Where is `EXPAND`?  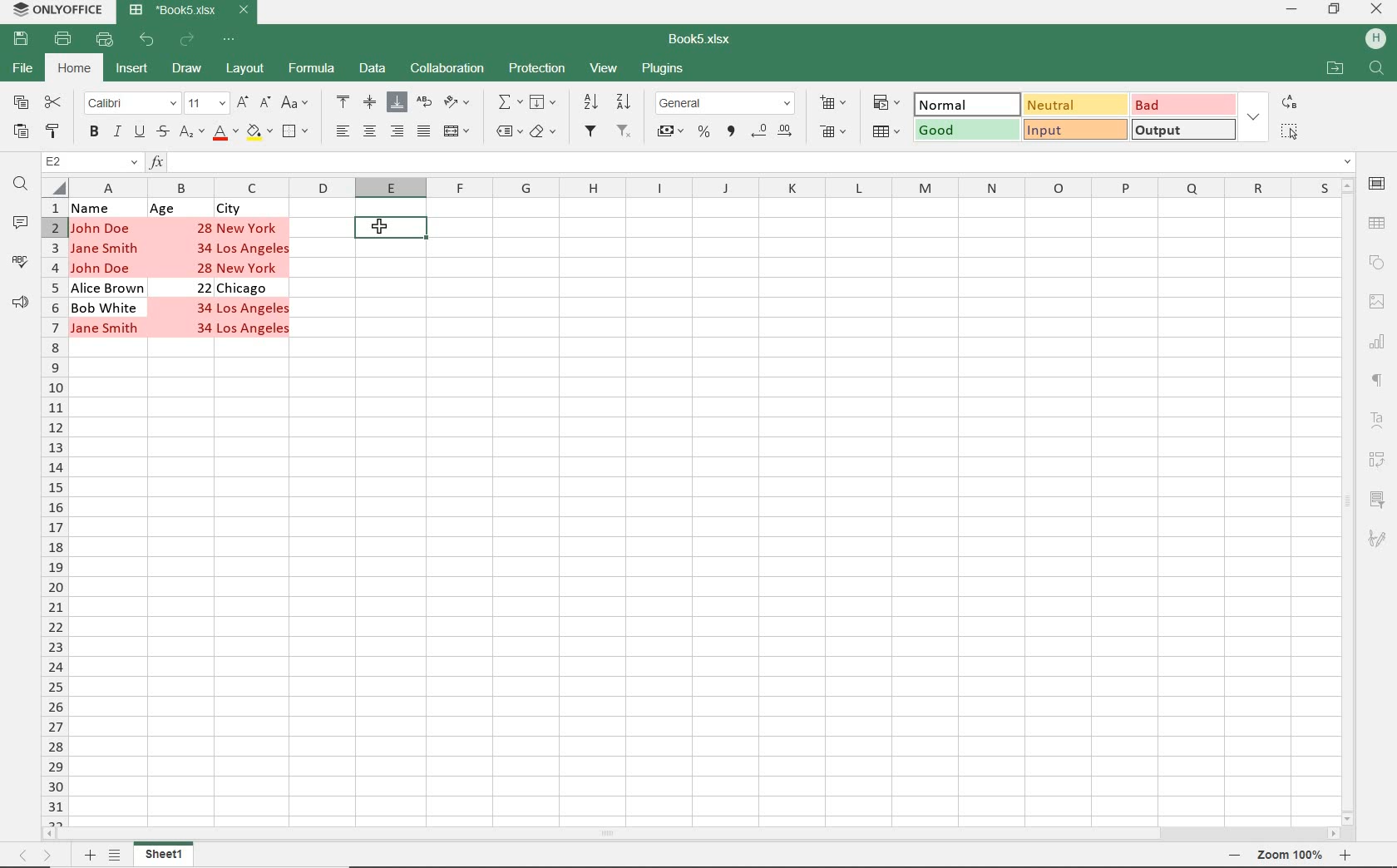
EXPAND is located at coordinates (1256, 116).